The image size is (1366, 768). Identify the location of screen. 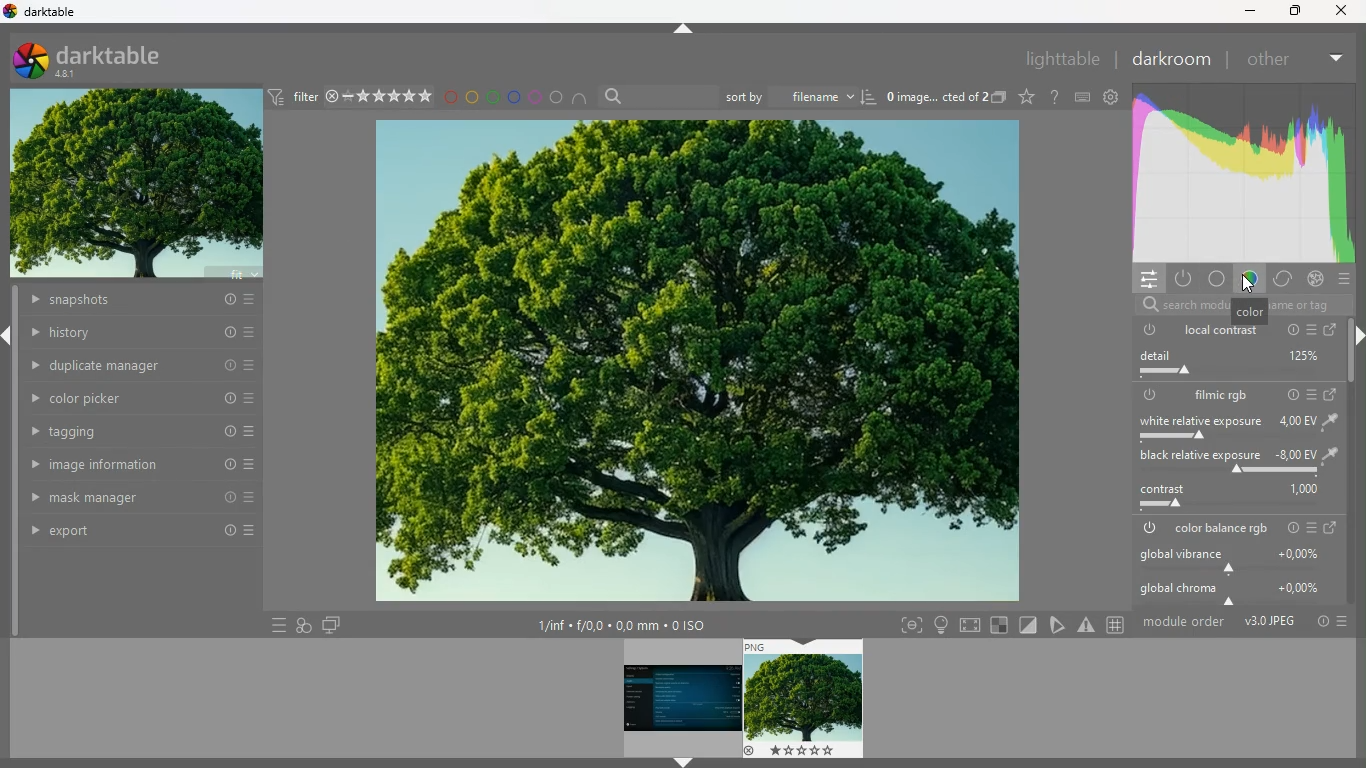
(972, 624).